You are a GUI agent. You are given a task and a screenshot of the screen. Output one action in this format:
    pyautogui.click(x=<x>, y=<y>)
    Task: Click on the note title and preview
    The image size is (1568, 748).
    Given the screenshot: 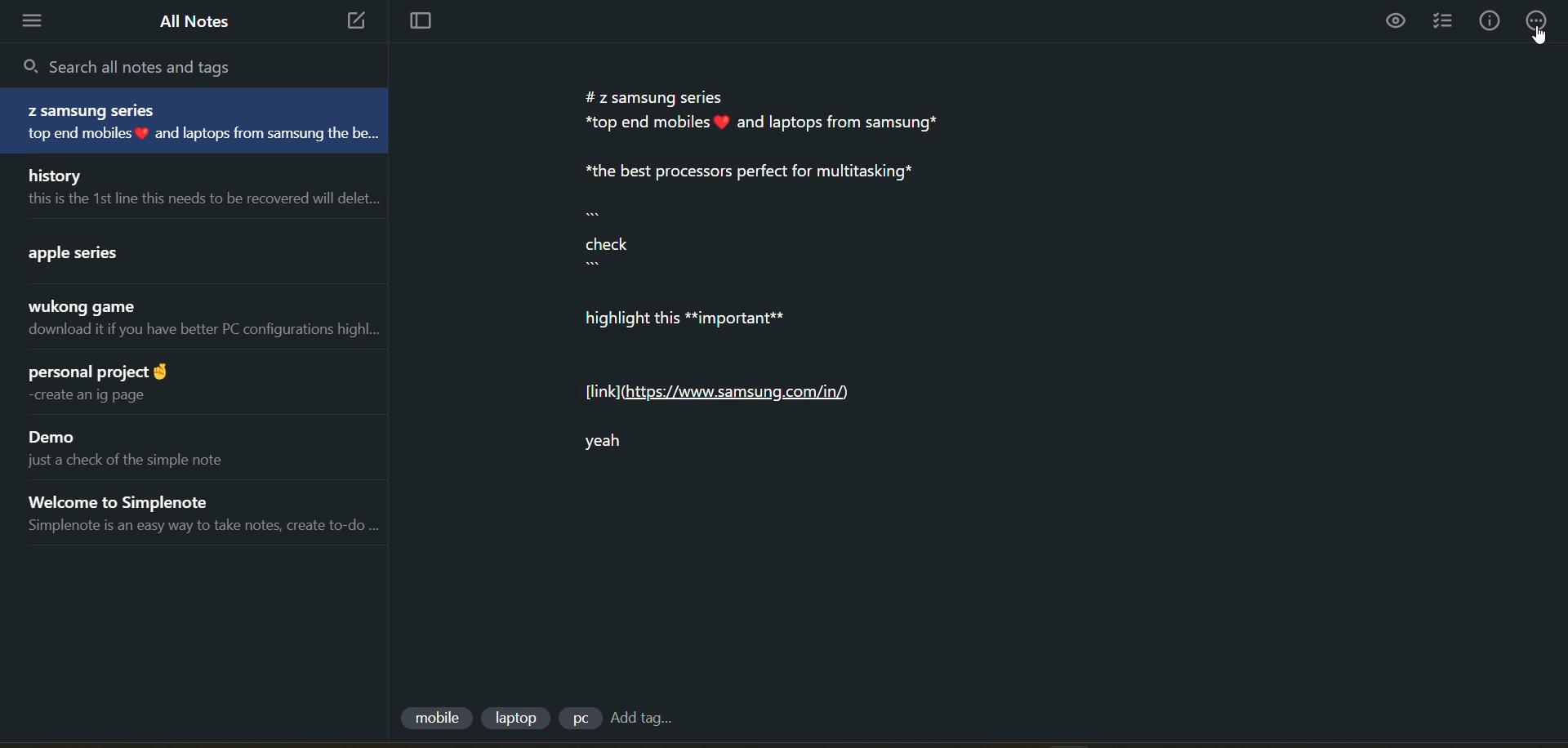 What is the action you would take?
    pyautogui.click(x=201, y=122)
    